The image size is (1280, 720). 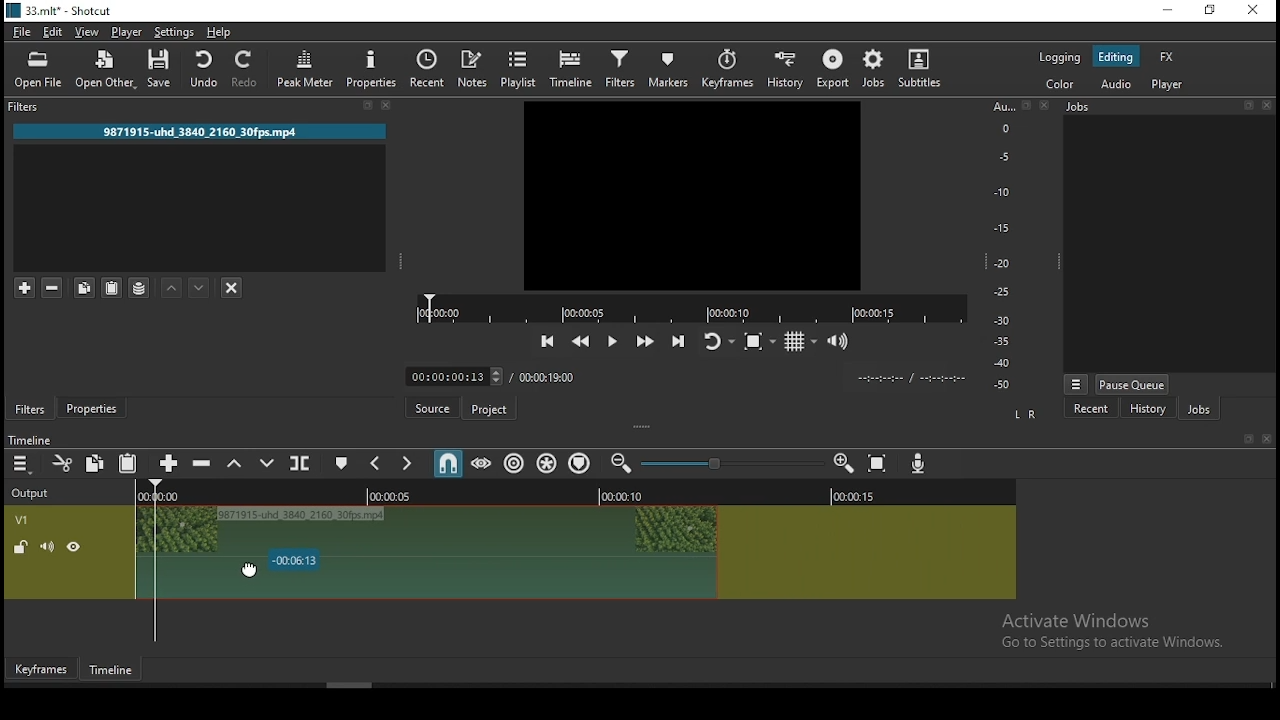 What do you see at coordinates (174, 32) in the screenshot?
I see `settings` at bounding box center [174, 32].